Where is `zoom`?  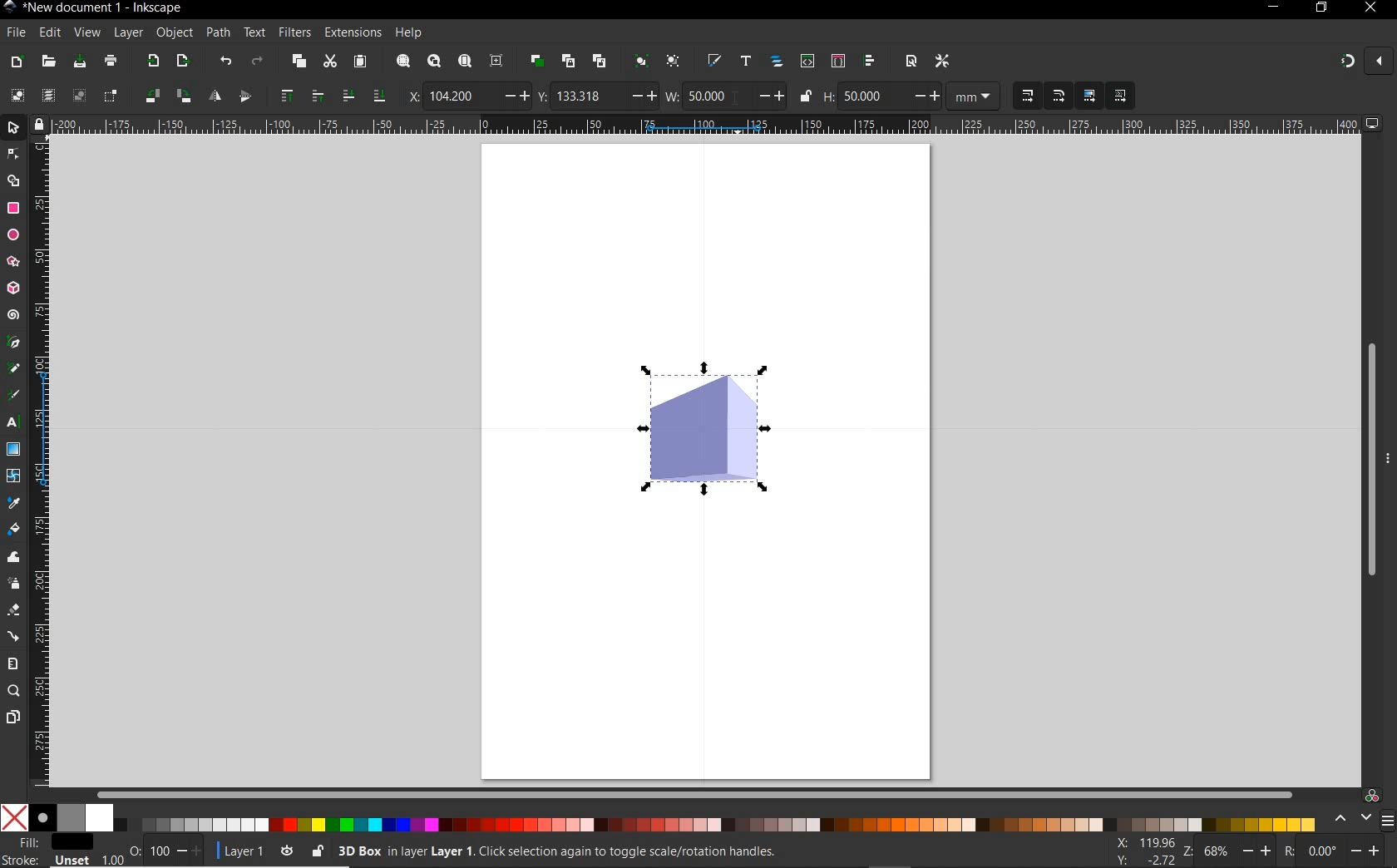
zoom is located at coordinates (1187, 852).